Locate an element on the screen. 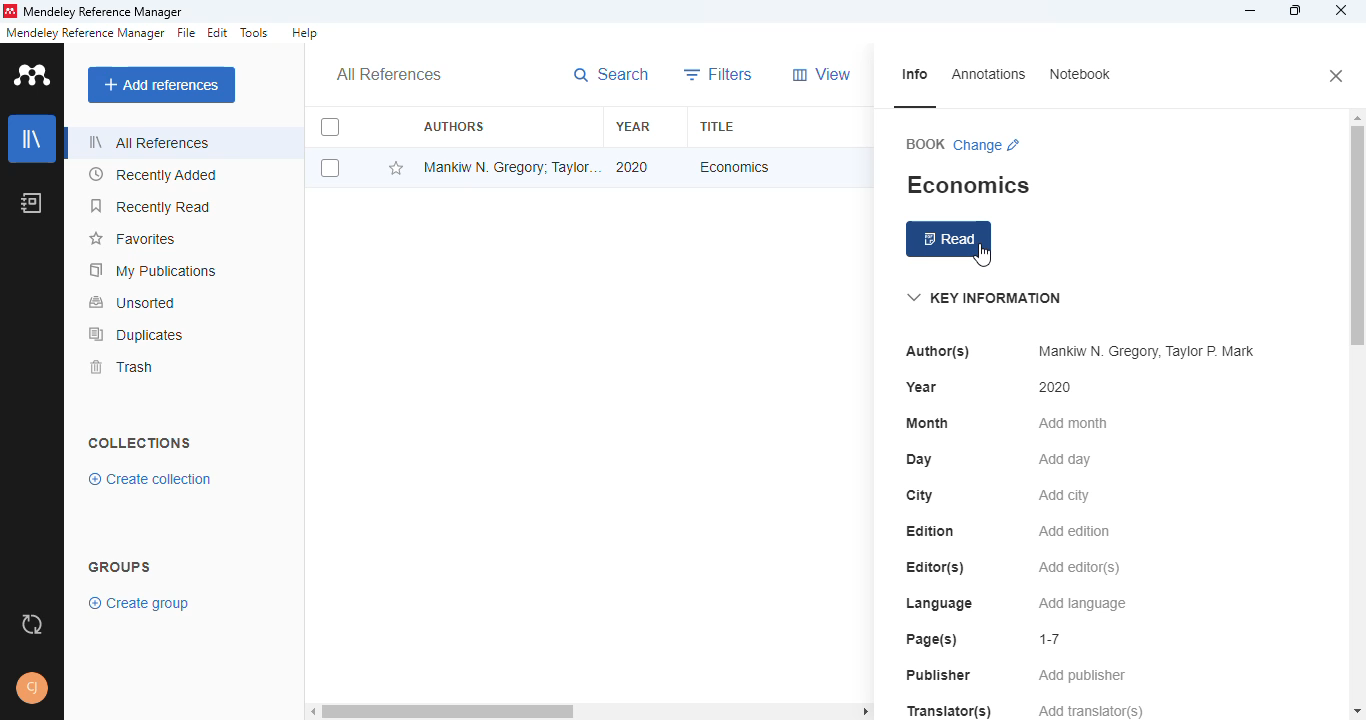 Image resolution: width=1366 pixels, height=720 pixels. groups is located at coordinates (119, 566).